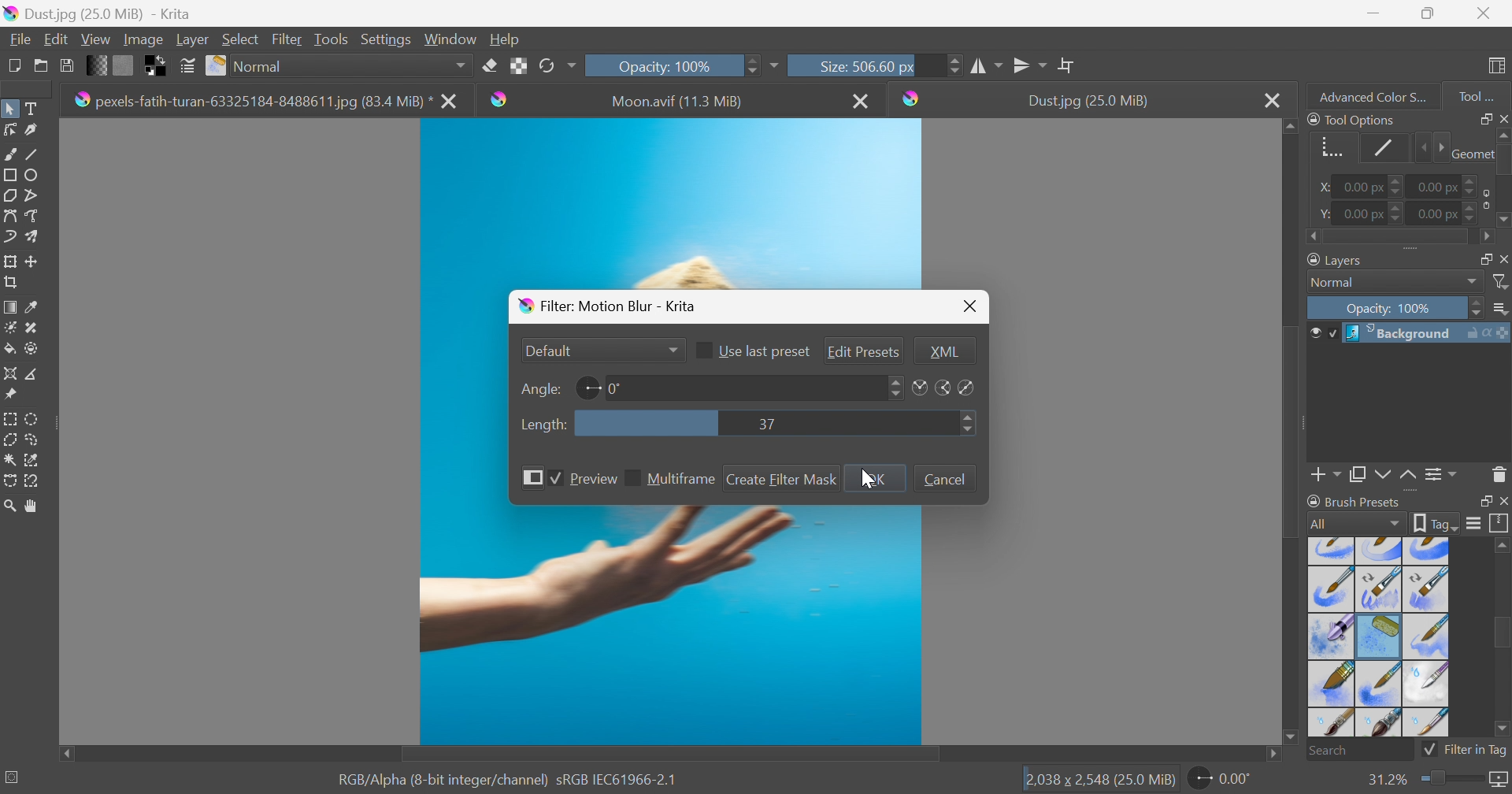  Describe the element at coordinates (331, 38) in the screenshot. I see `Tools` at that location.